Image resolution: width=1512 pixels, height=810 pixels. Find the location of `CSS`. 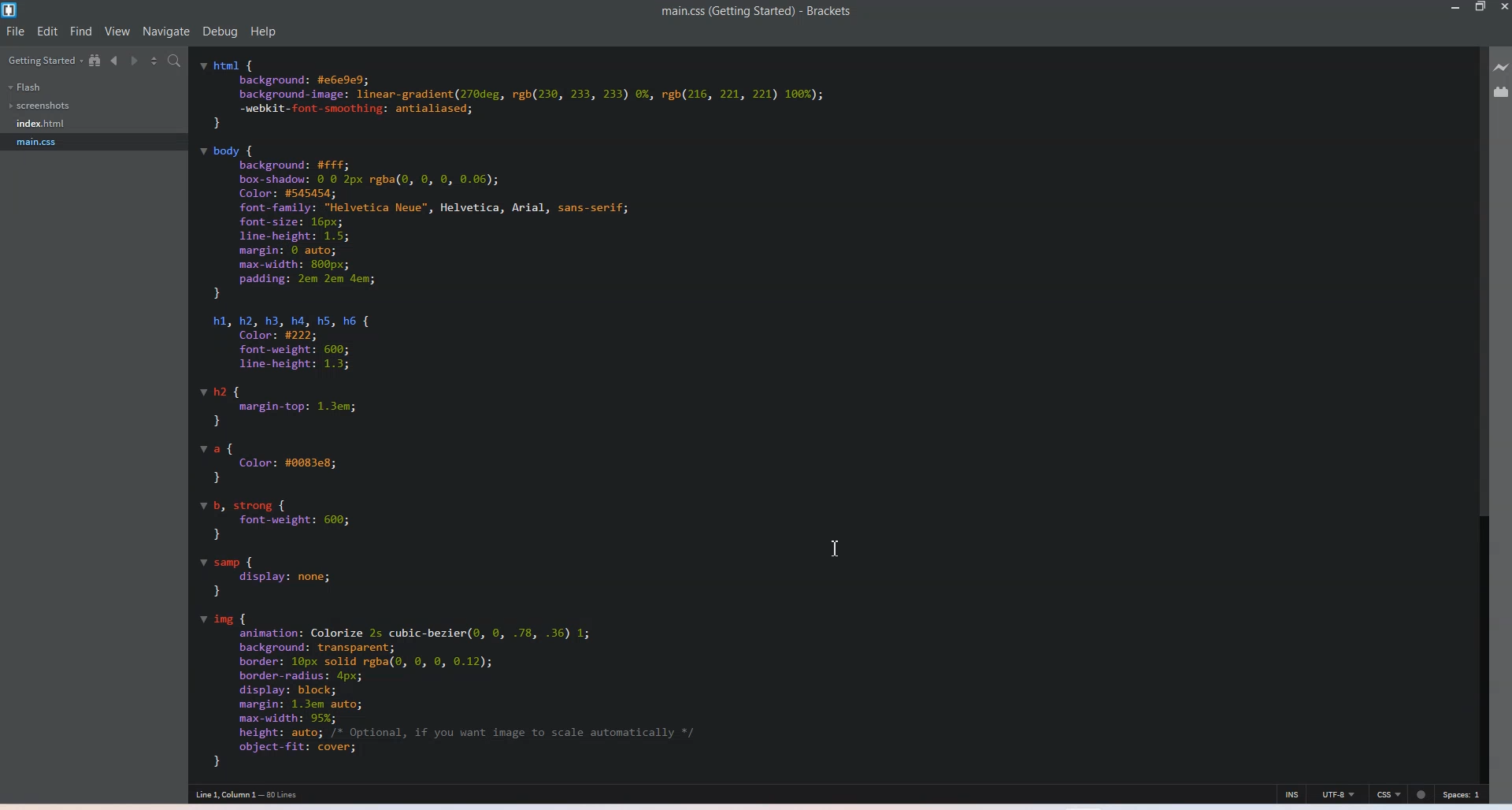

CSS is located at coordinates (1391, 794).